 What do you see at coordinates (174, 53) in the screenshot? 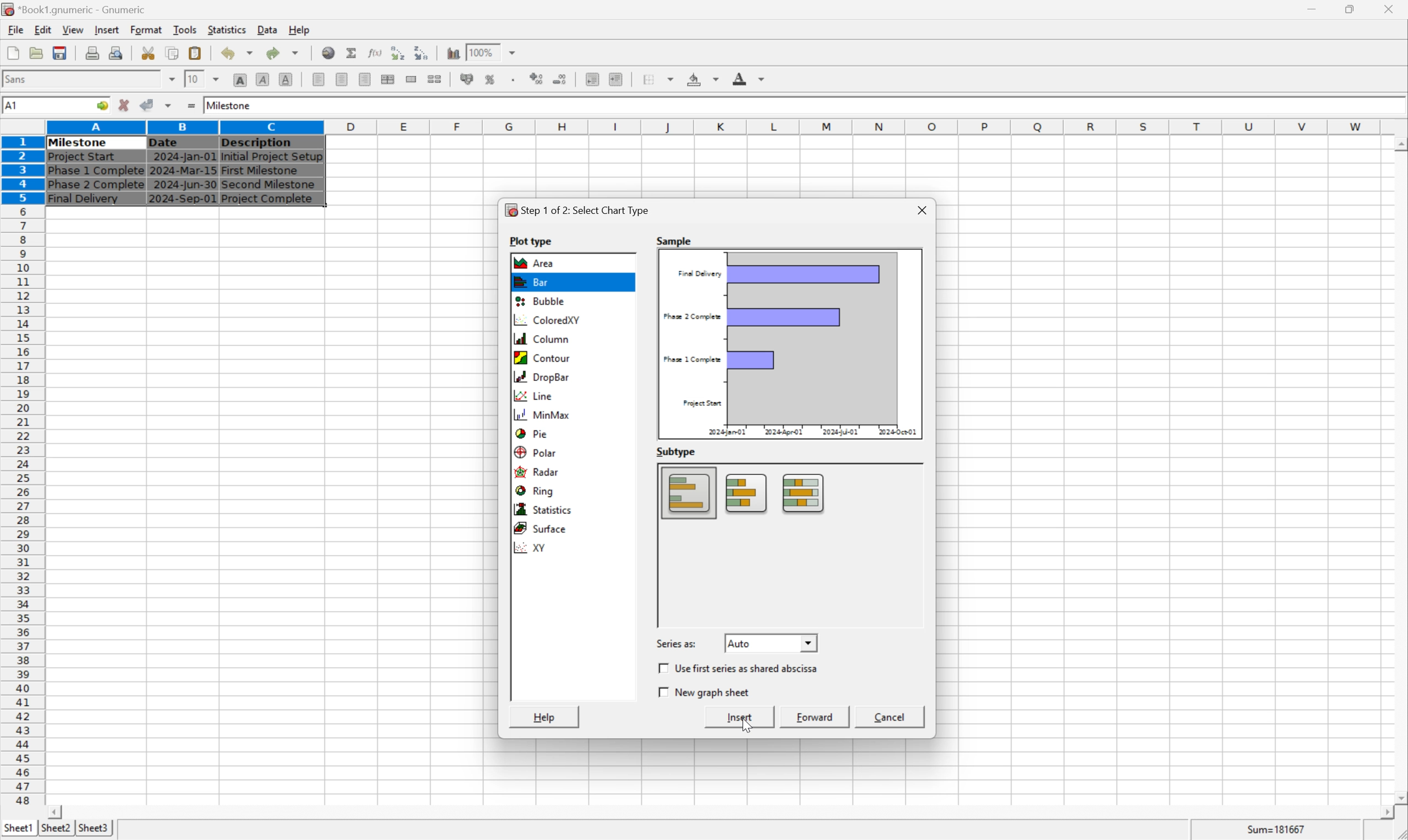
I see `copy from selection` at bounding box center [174, 53].